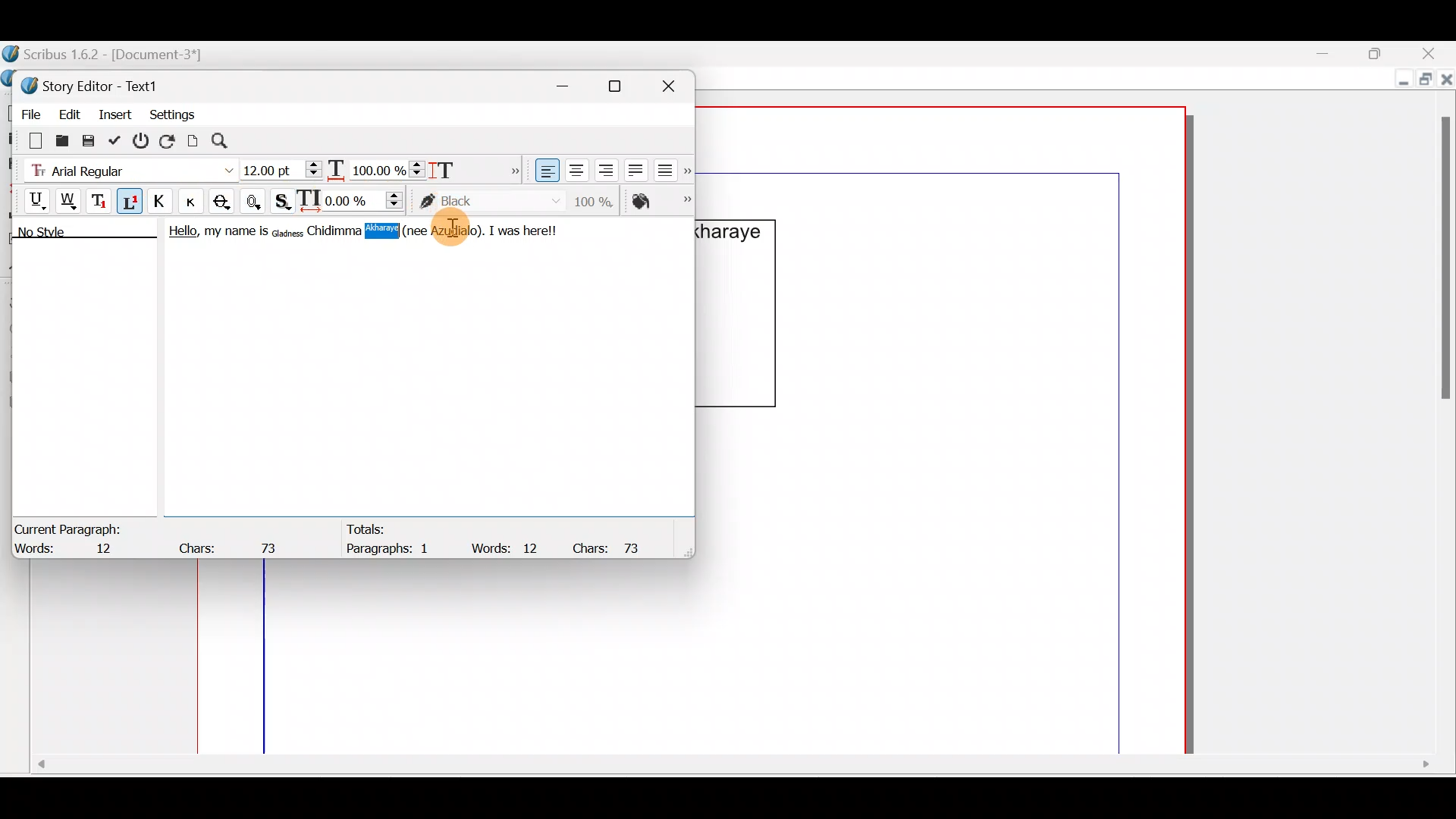 This screenshot has height=819, width=1456. I want to click on Scroll bar, so click(1440, 414).